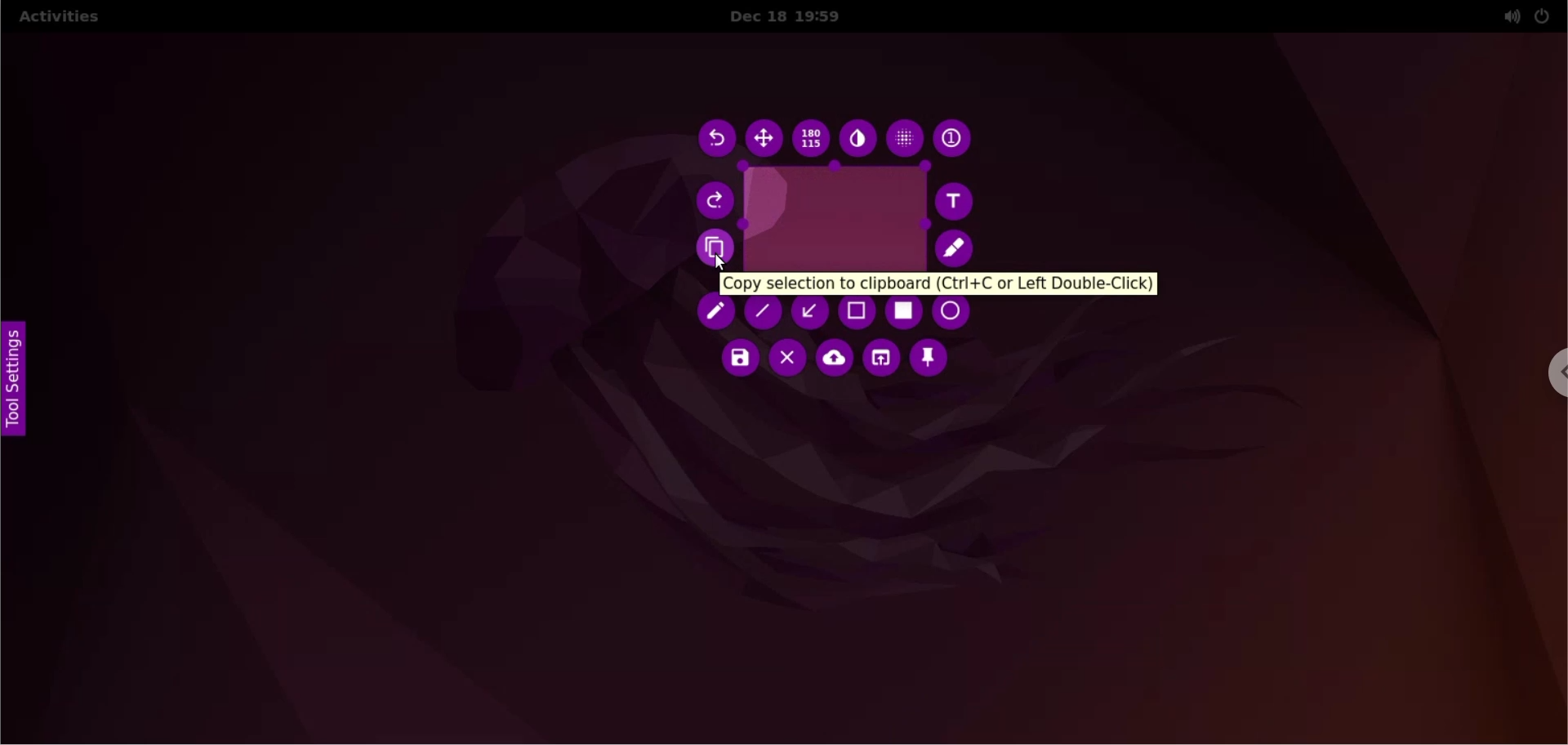 Image resolution: width=1568 pixels, height=745 pixels. What do you see at coordinates (856, 140) in the screenshot?
I see `inverter ` at bounding box center [856, 140].